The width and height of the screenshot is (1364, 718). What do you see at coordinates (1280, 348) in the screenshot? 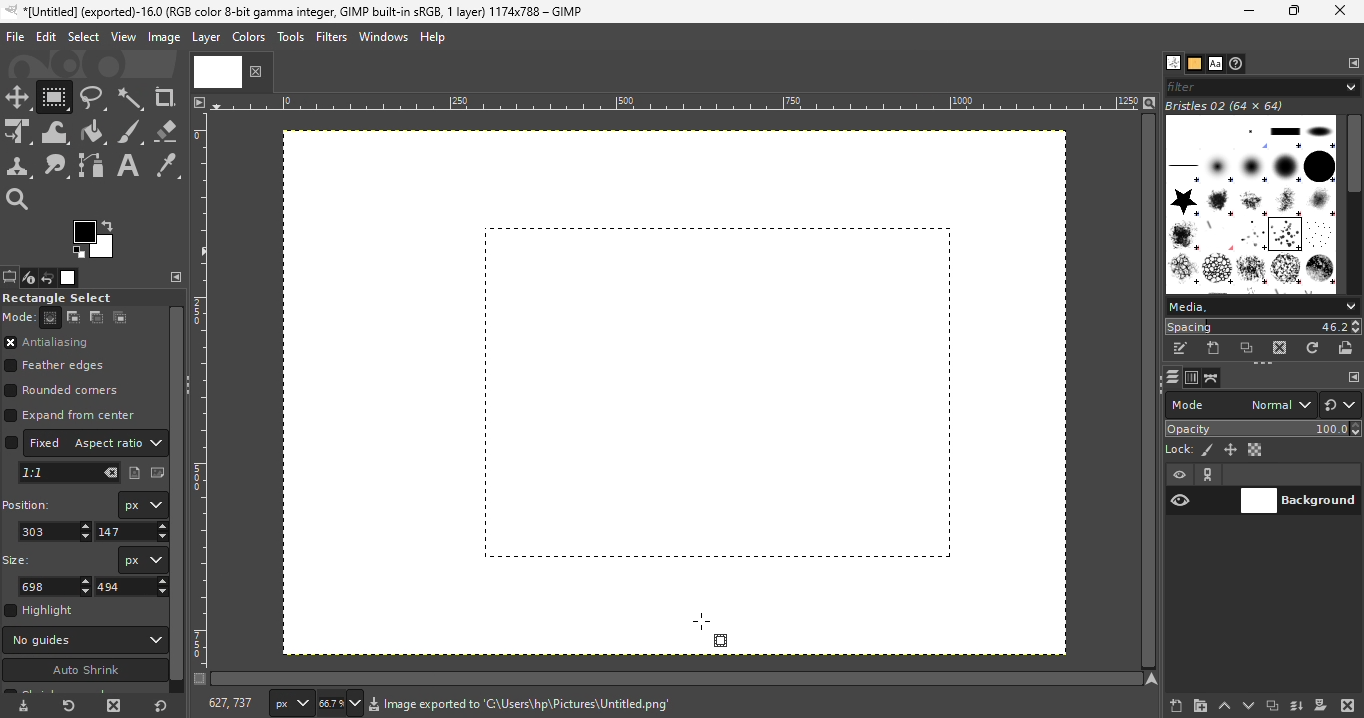
I see `delete this brush` at bounding box center [1280, 348].